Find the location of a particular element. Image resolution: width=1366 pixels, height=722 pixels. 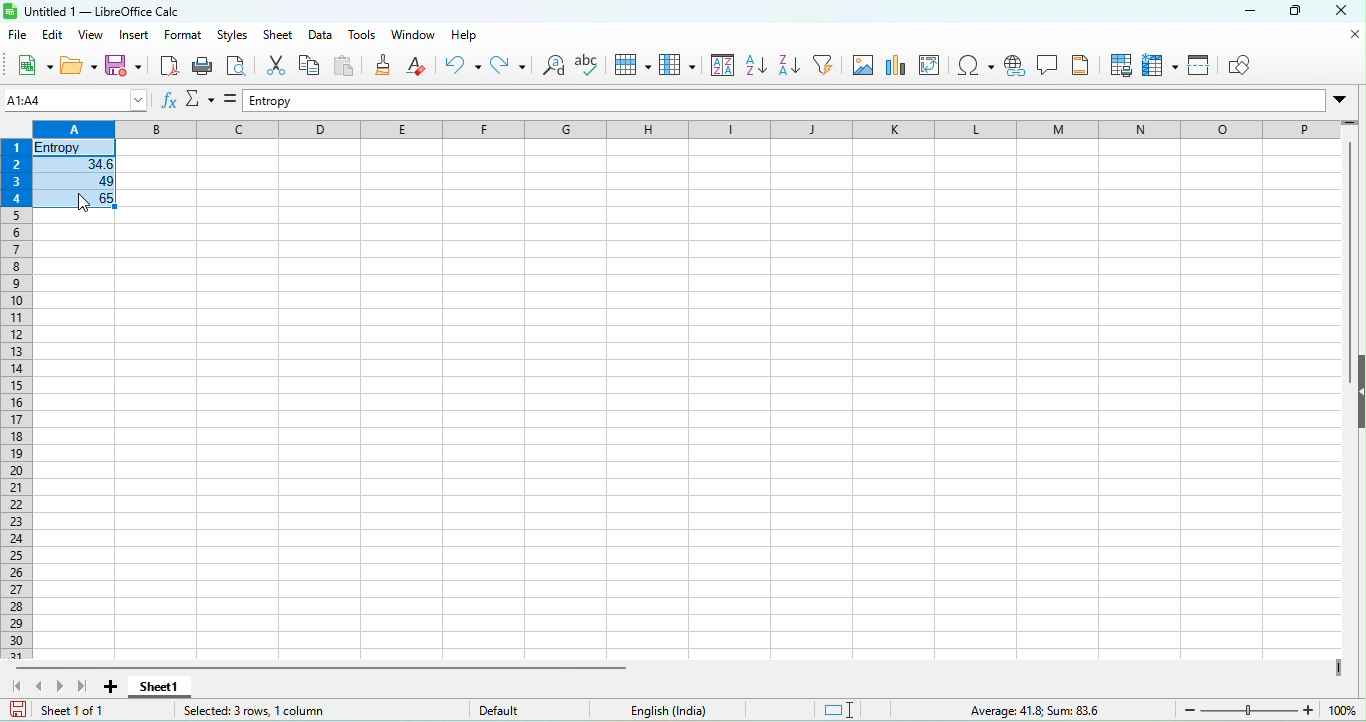

drag to view more columns is located at coordinates (1339, 667).